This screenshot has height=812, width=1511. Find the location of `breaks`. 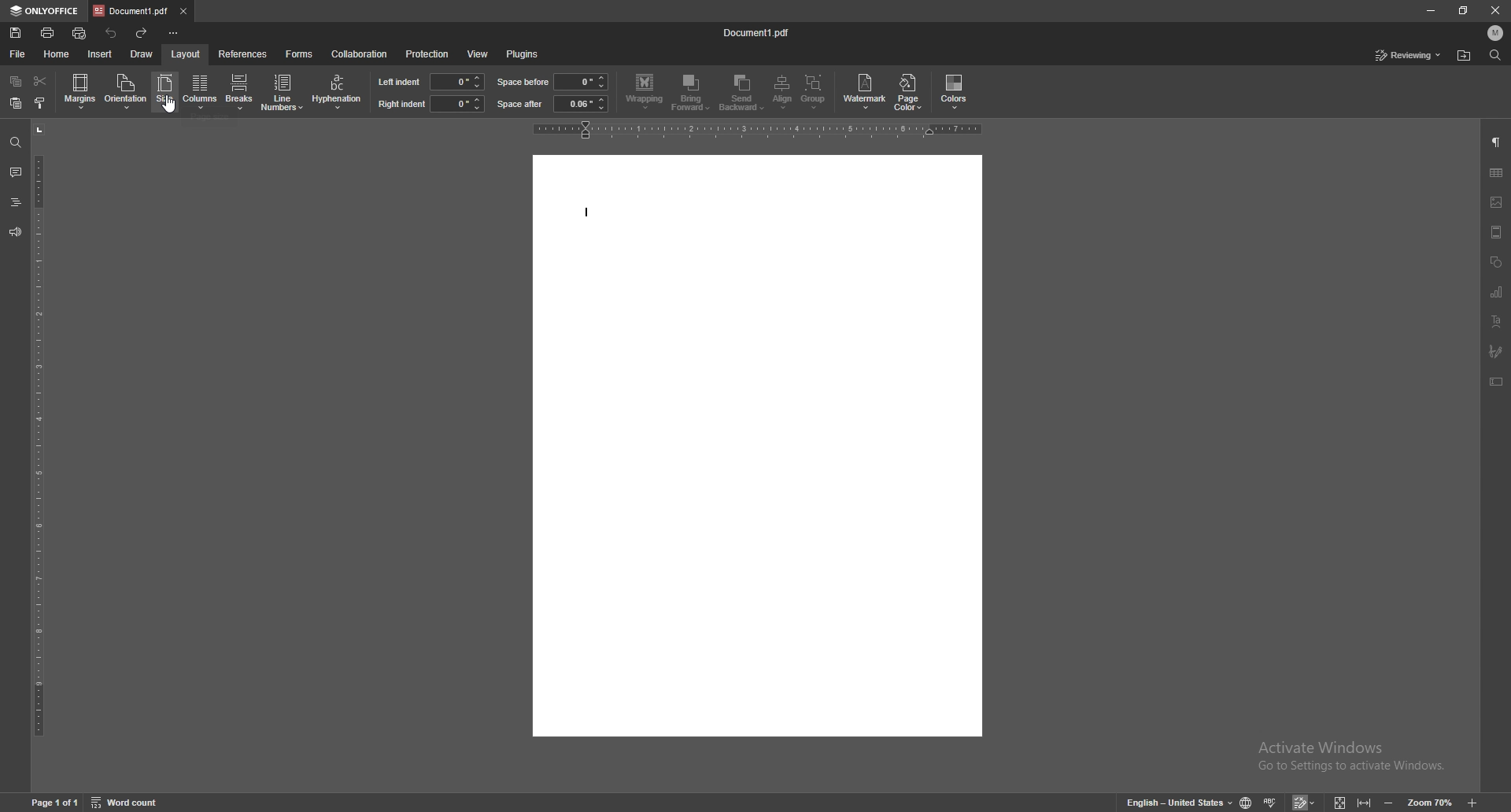

breaks is located at coordinates (238, 91).